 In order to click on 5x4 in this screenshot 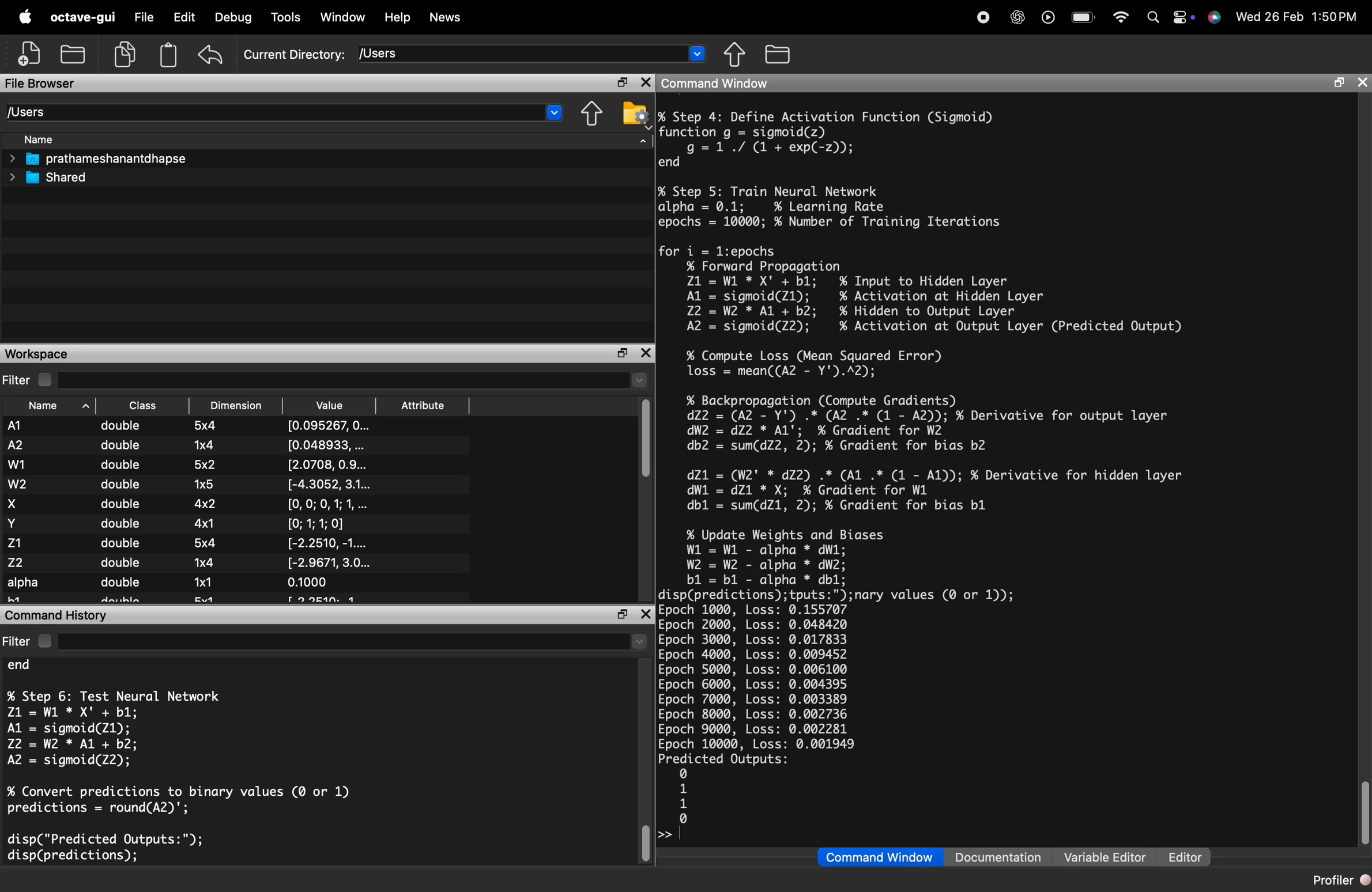, I will do `click(207, 426)`.